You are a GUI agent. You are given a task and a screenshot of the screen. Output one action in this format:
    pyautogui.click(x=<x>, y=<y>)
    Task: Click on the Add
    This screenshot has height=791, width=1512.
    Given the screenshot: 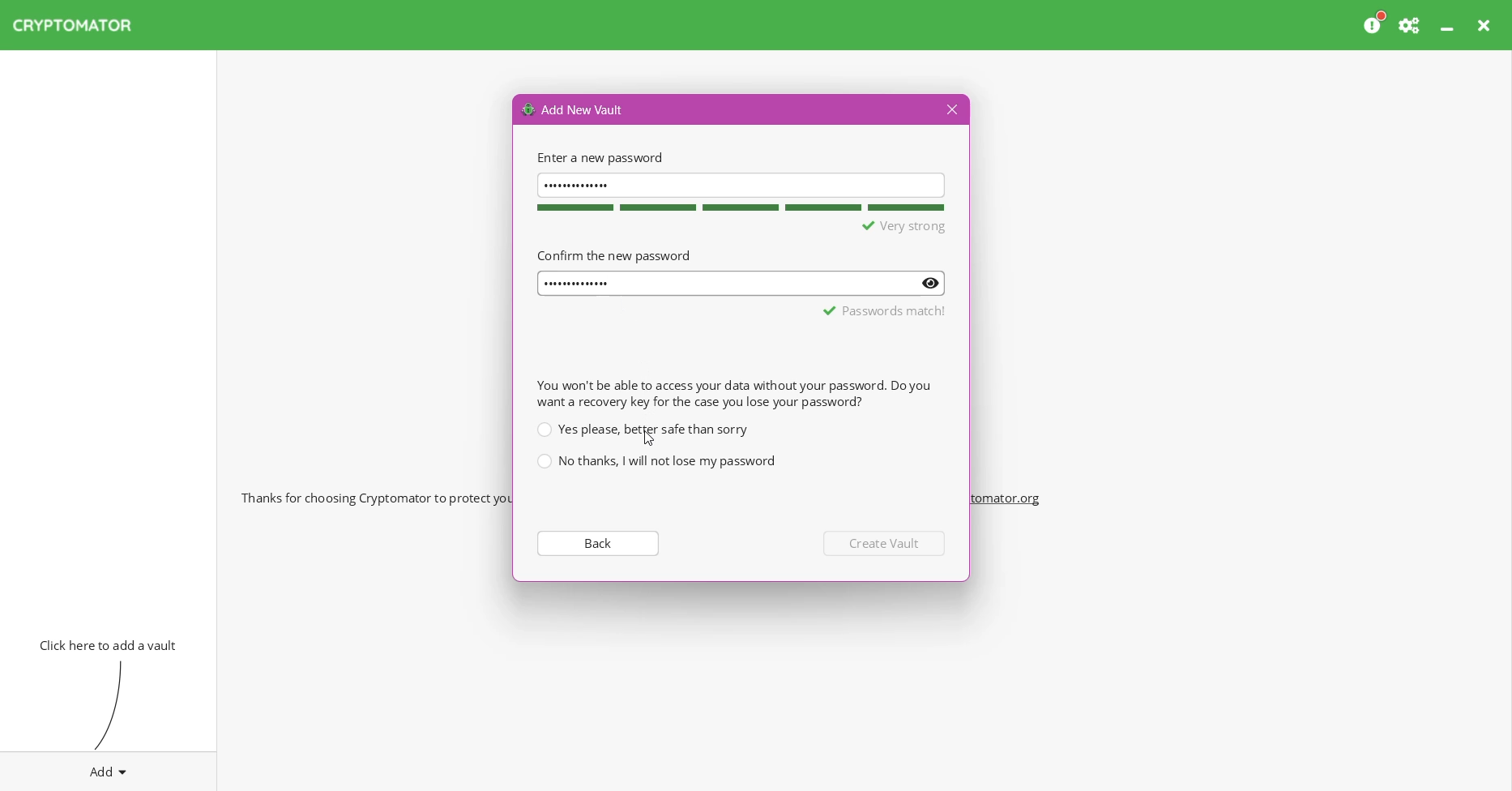 What is the action you would take?
    pyautogui.click(x=109, y=768)
    